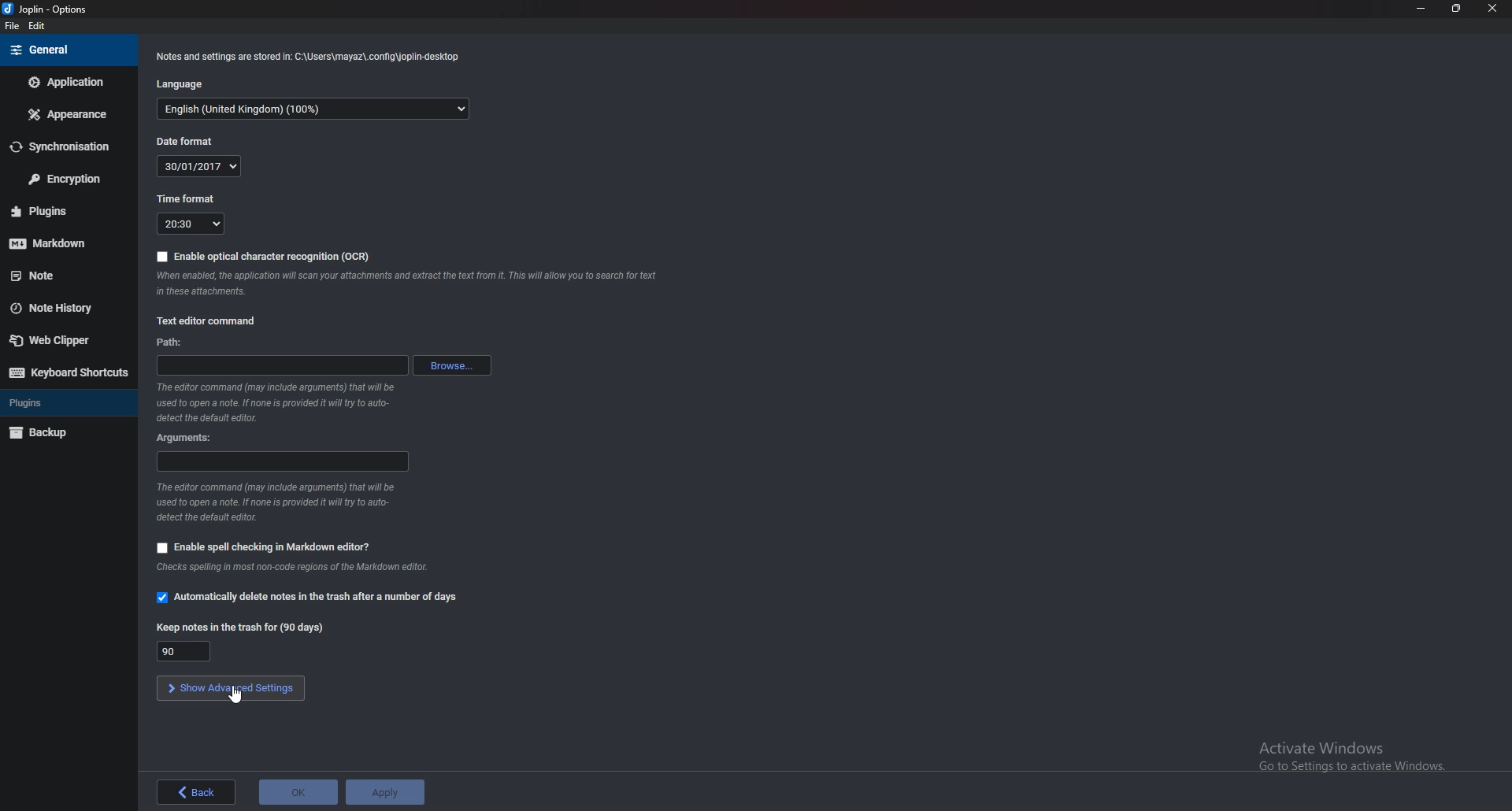 The width and height of the screenshot is (1512, 811). What do you see at coordinates (232, 688) in the screenshot?
I see `Show advanced settings` at bounding box center [232, 688].